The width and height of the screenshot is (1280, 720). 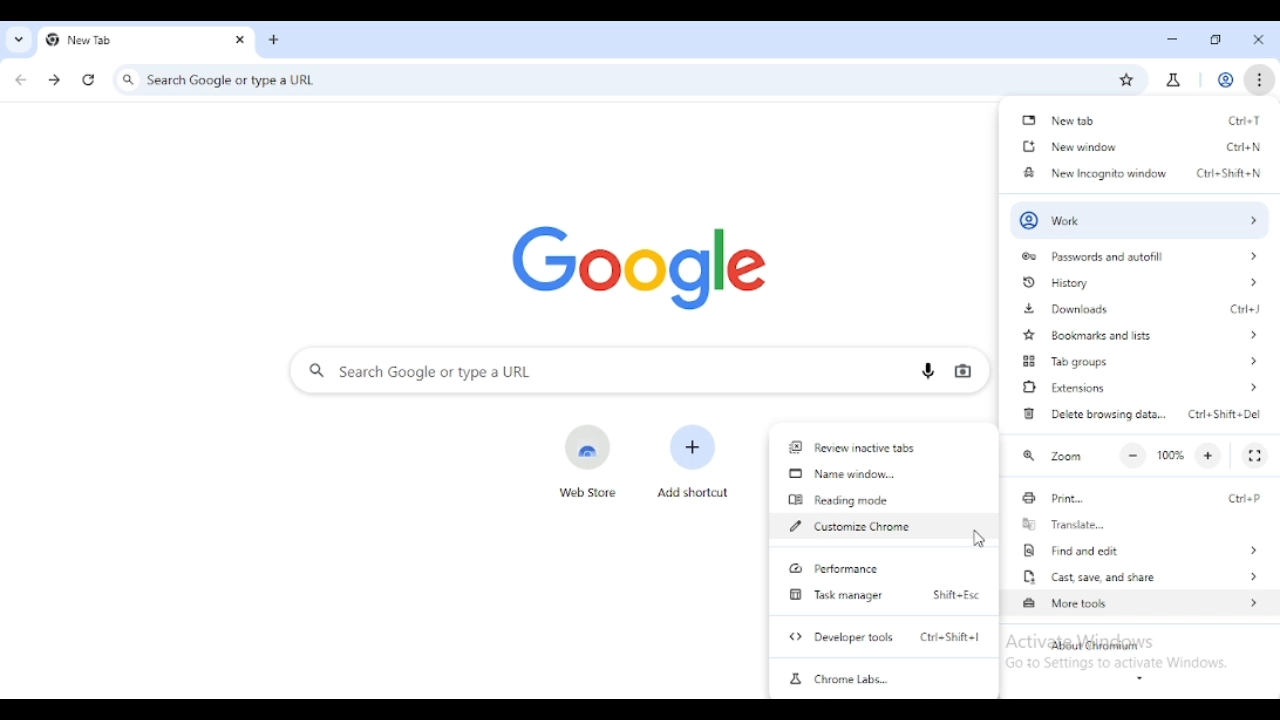 I want to click on new tab, so click(x=118, y=39).